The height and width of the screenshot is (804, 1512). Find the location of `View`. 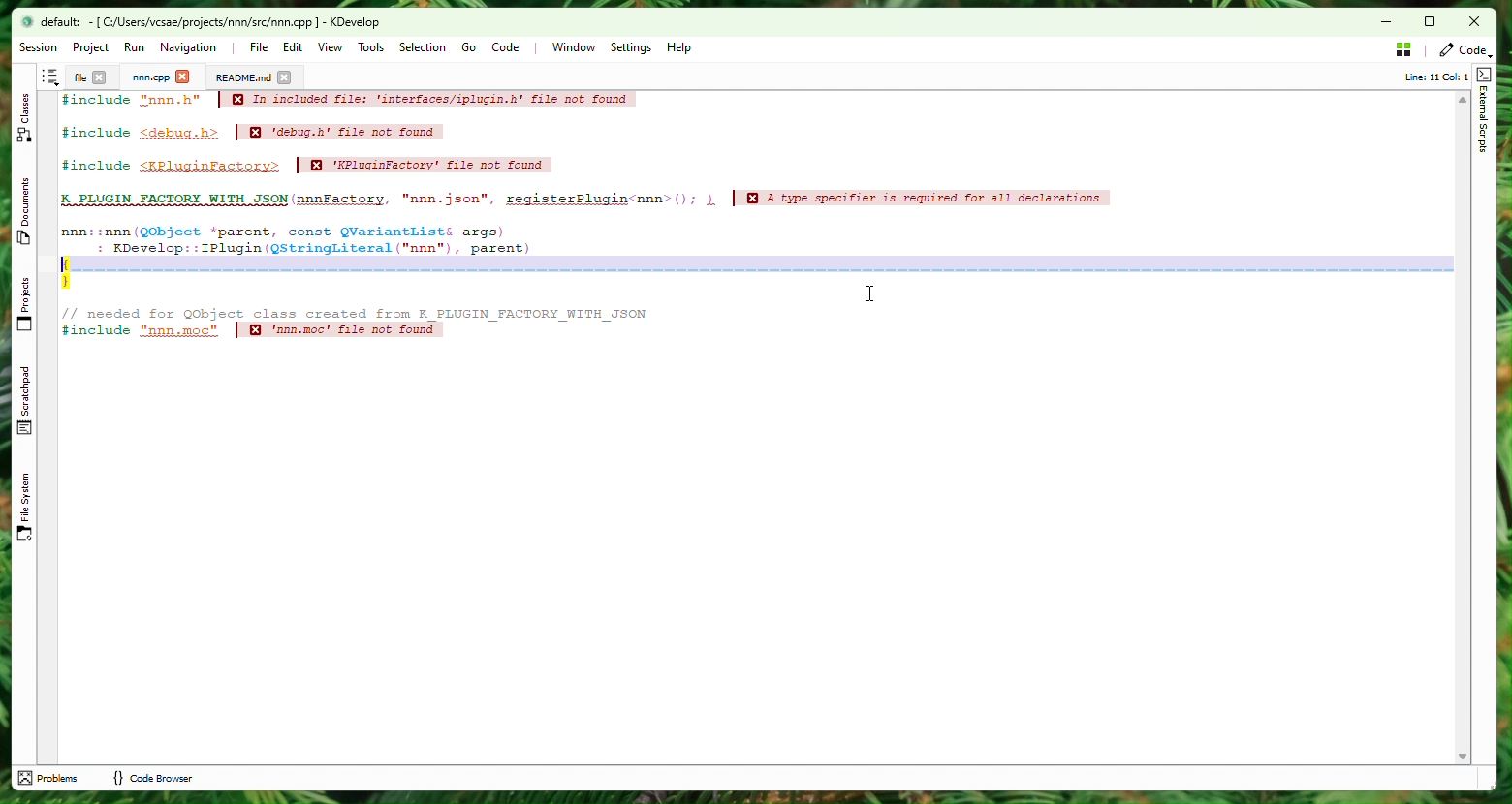

View is located at coordinates (331, 47).